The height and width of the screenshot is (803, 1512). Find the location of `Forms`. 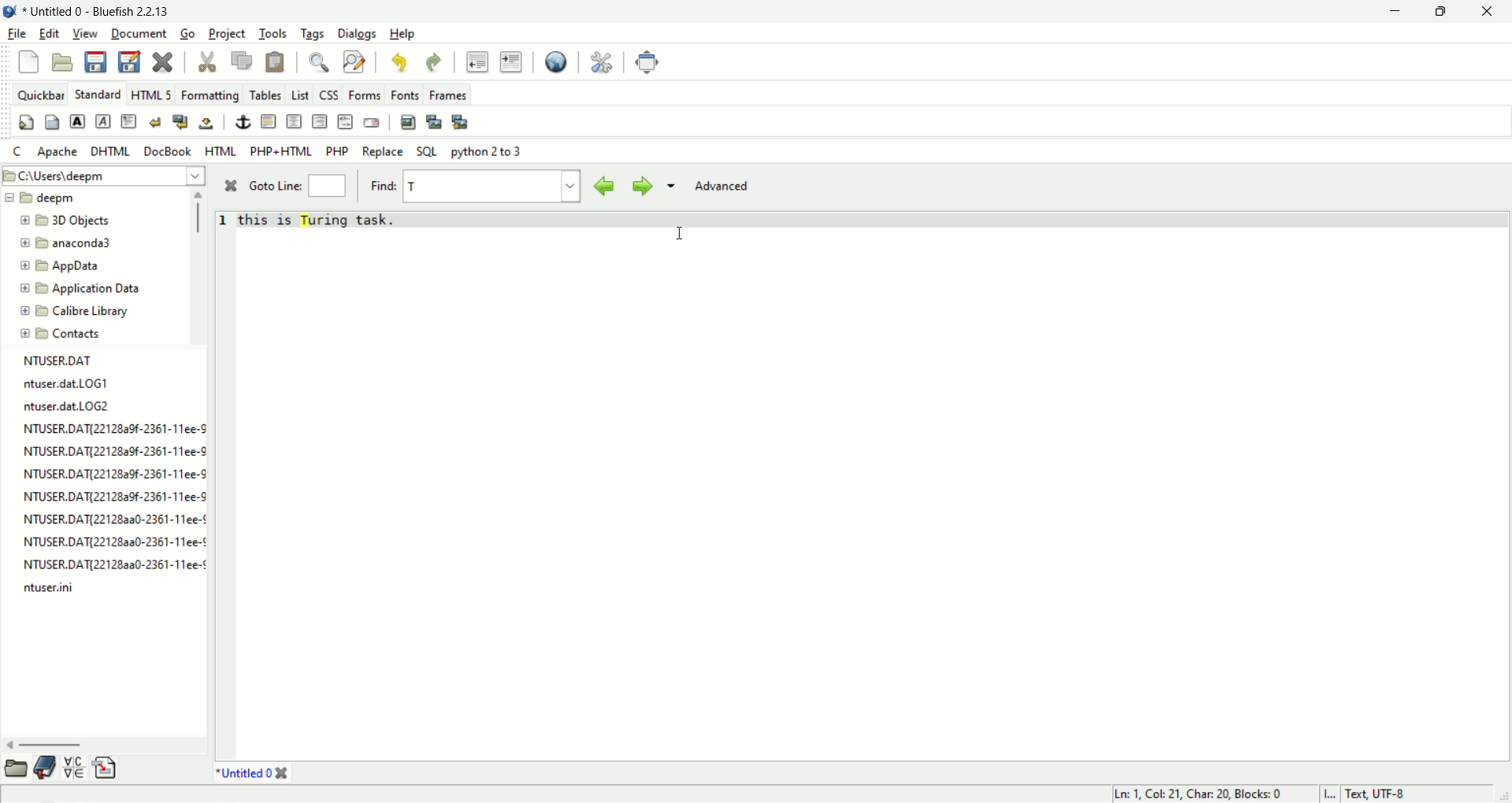

Forms is located at coordinates (365, 95).